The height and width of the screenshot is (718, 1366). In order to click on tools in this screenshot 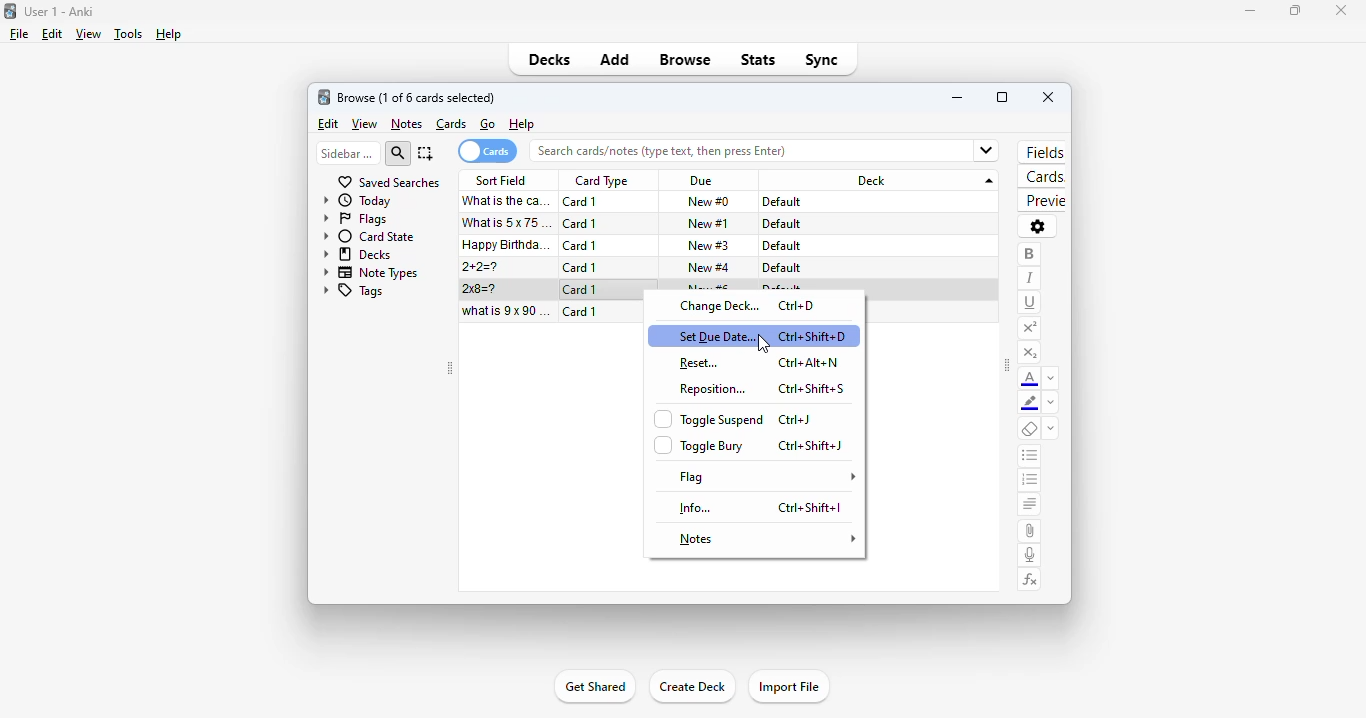, I will do `click(127, 35)`.